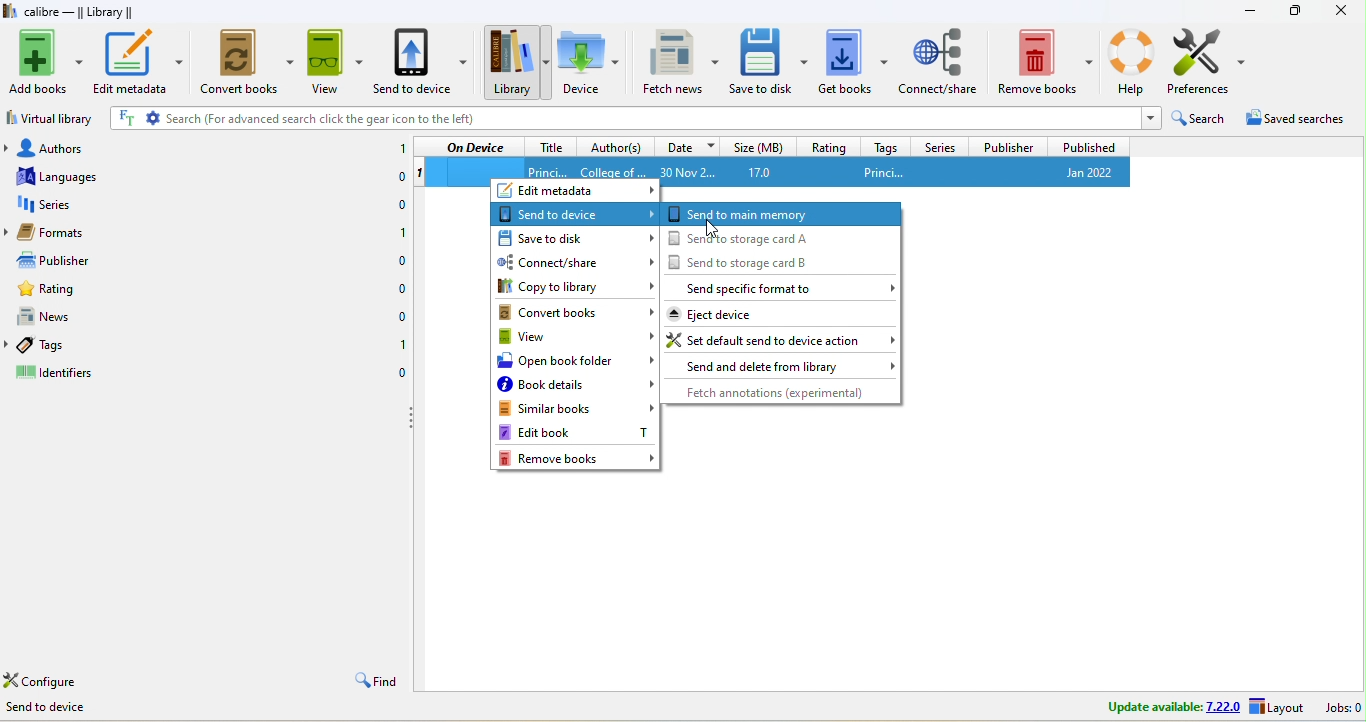  Describe the element at coordinates (782, 394) in the screenshot. I see `fetch annotations` at that location.